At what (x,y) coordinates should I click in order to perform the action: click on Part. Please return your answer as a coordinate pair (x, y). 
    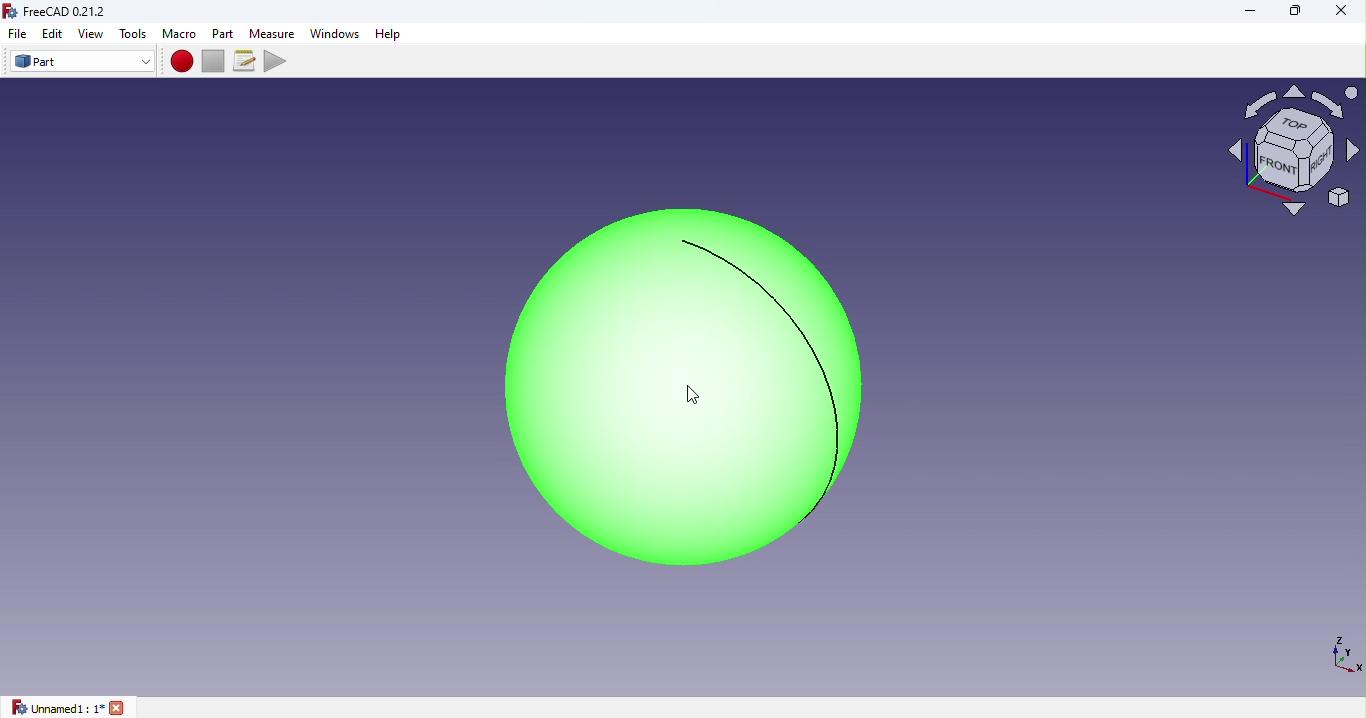
    Looking at the image, I should click on (82, 62).